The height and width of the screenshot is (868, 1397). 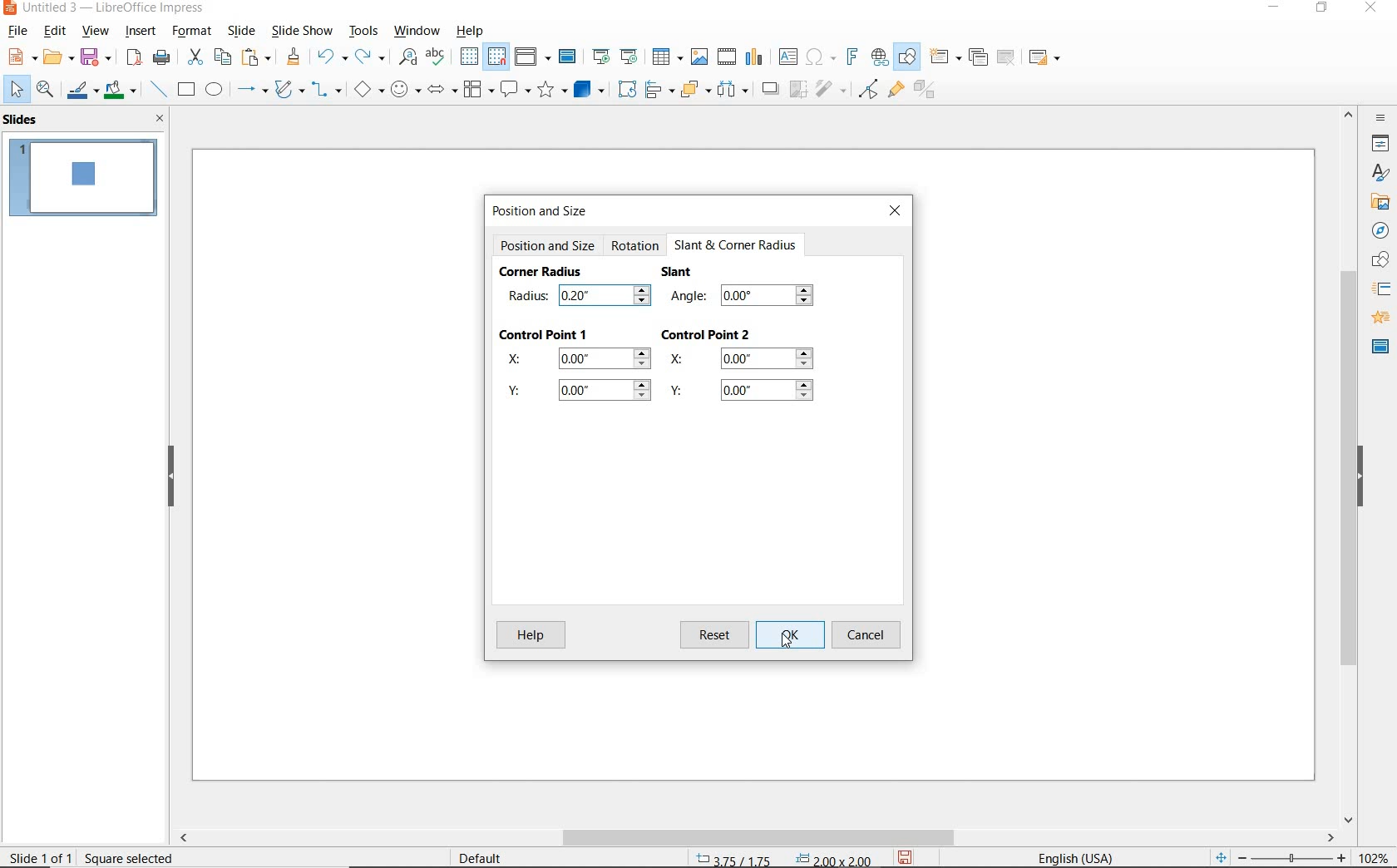 I want to click on 0.20, so click(x=592, y=296).